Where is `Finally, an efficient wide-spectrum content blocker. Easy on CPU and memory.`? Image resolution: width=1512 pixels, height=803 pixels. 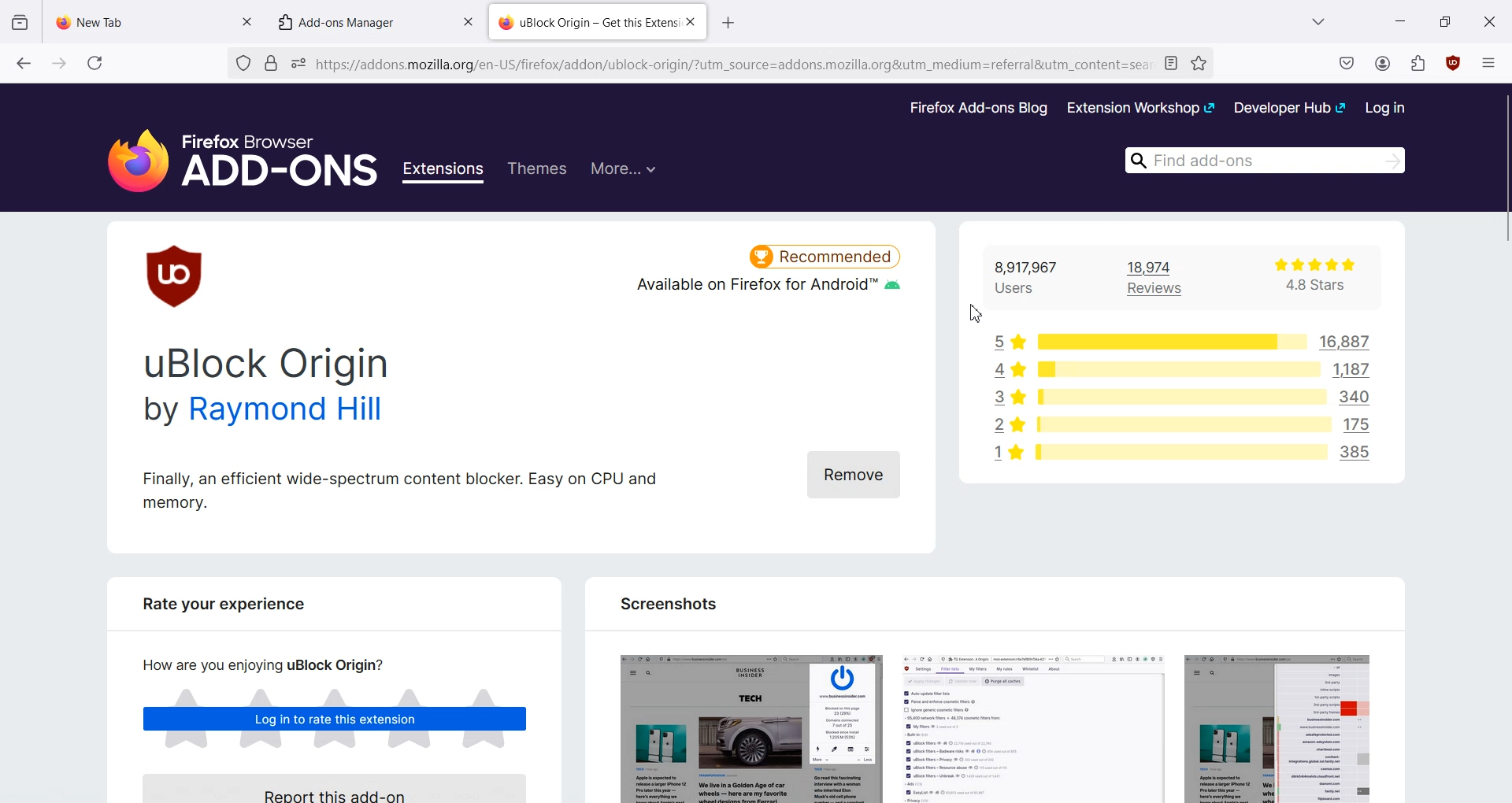
Finally, an efficient wide-spectrum content blocker. Easy on CPU and memory. is located at coordinates (400, 489).